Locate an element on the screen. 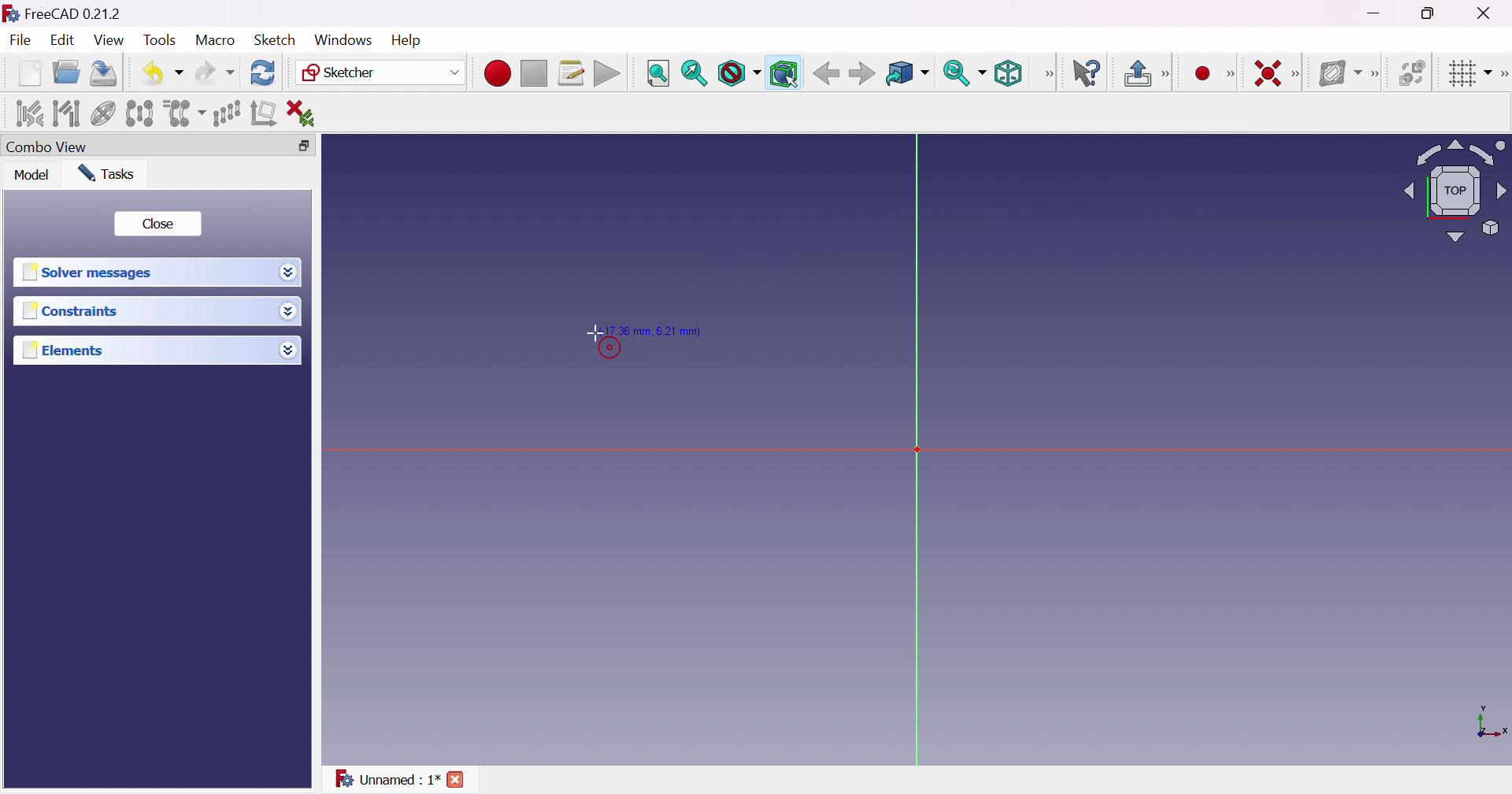 This screenshot has width=1512, height=794. Macro is located at coordinates (216, 40).